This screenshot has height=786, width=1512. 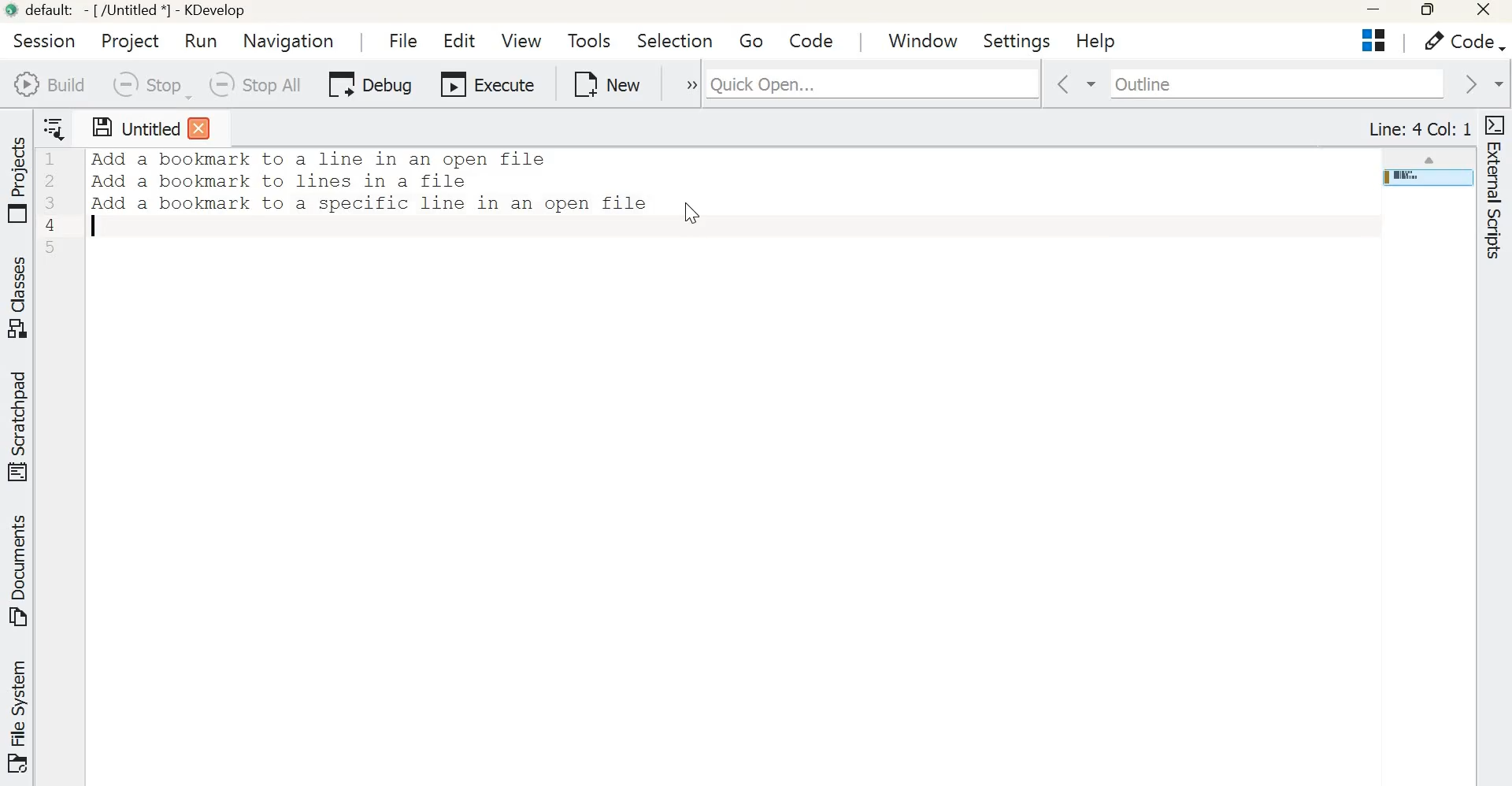 What do you see at coordinates (17, 574) in the screenshot?
I see `Documents` at bounding box center [17, 574].